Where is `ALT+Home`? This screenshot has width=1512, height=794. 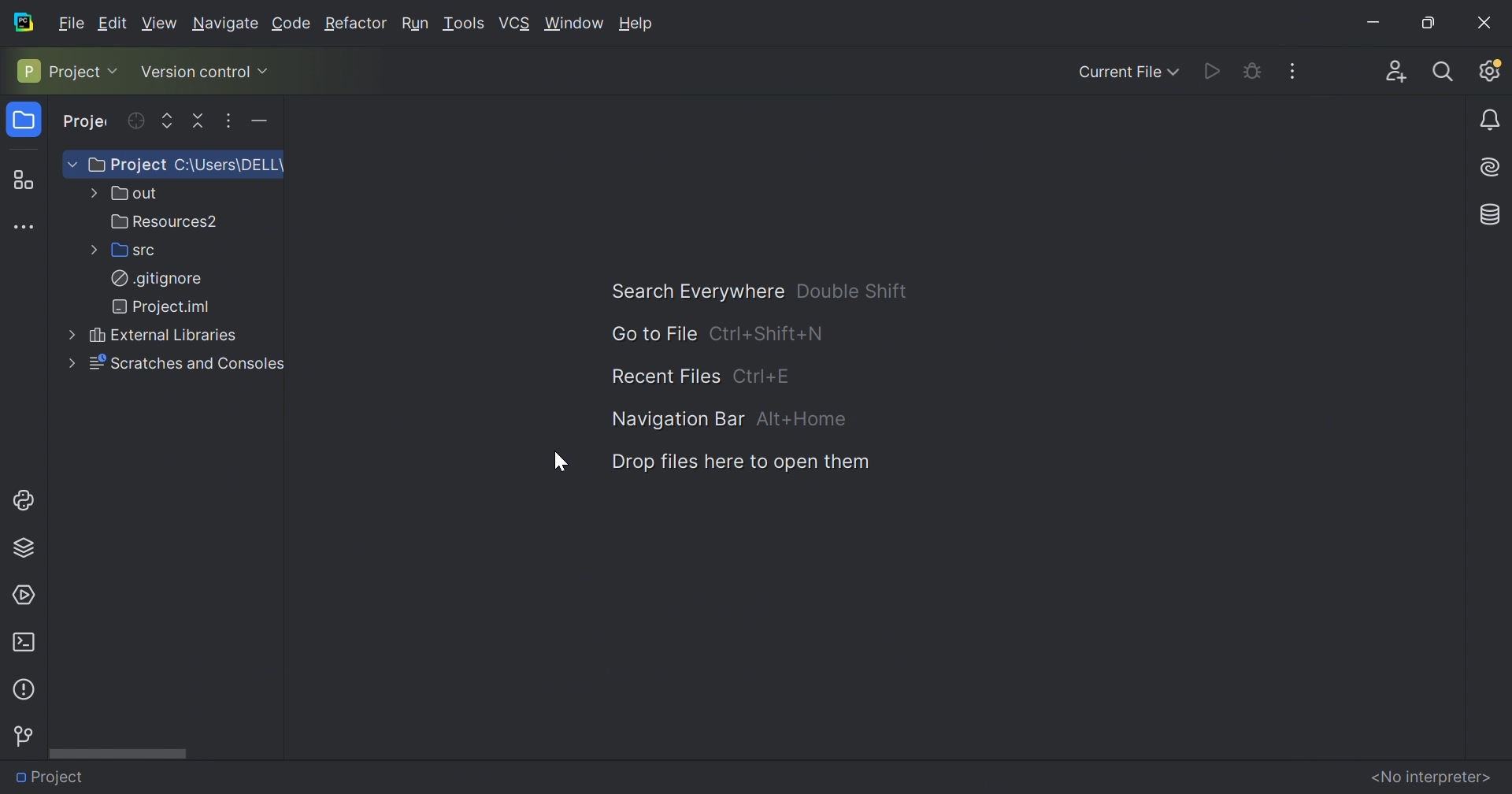
ALT+Home is located at coordinates (799, 417).